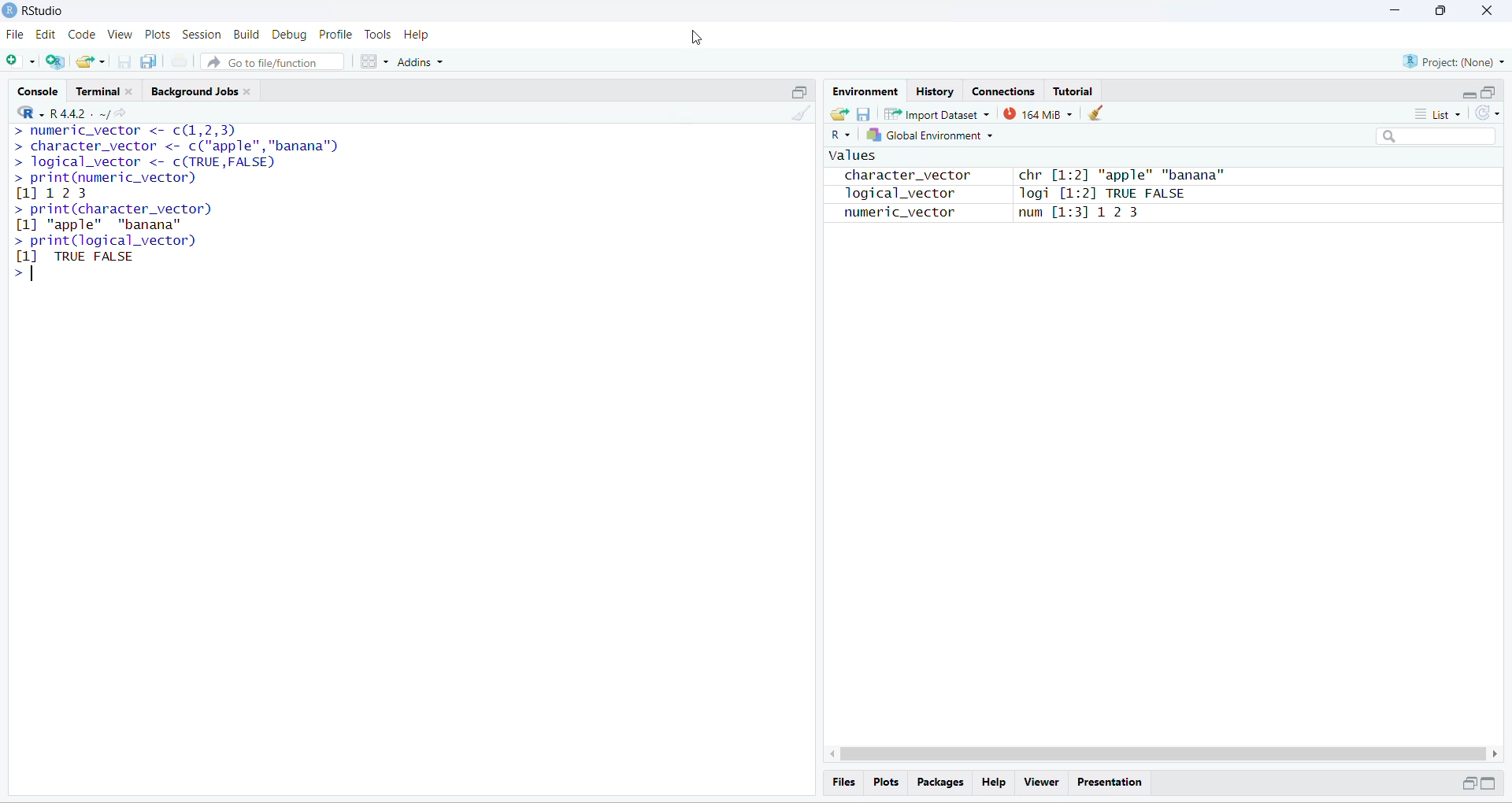 The image size is (1512, 803). Describe the element at coordinates (180, 61) in the screenshot. I see `print` at that location.